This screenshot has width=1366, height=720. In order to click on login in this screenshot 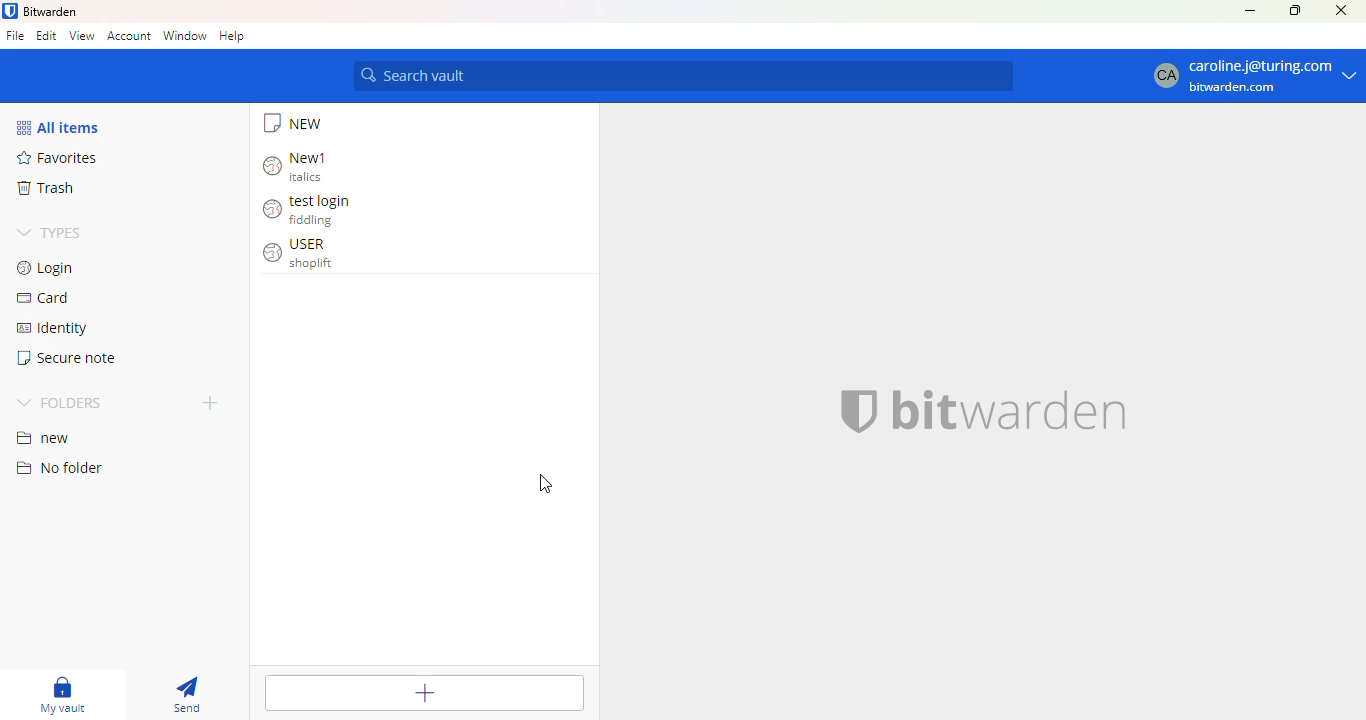, I will do `click(48, 268)`.